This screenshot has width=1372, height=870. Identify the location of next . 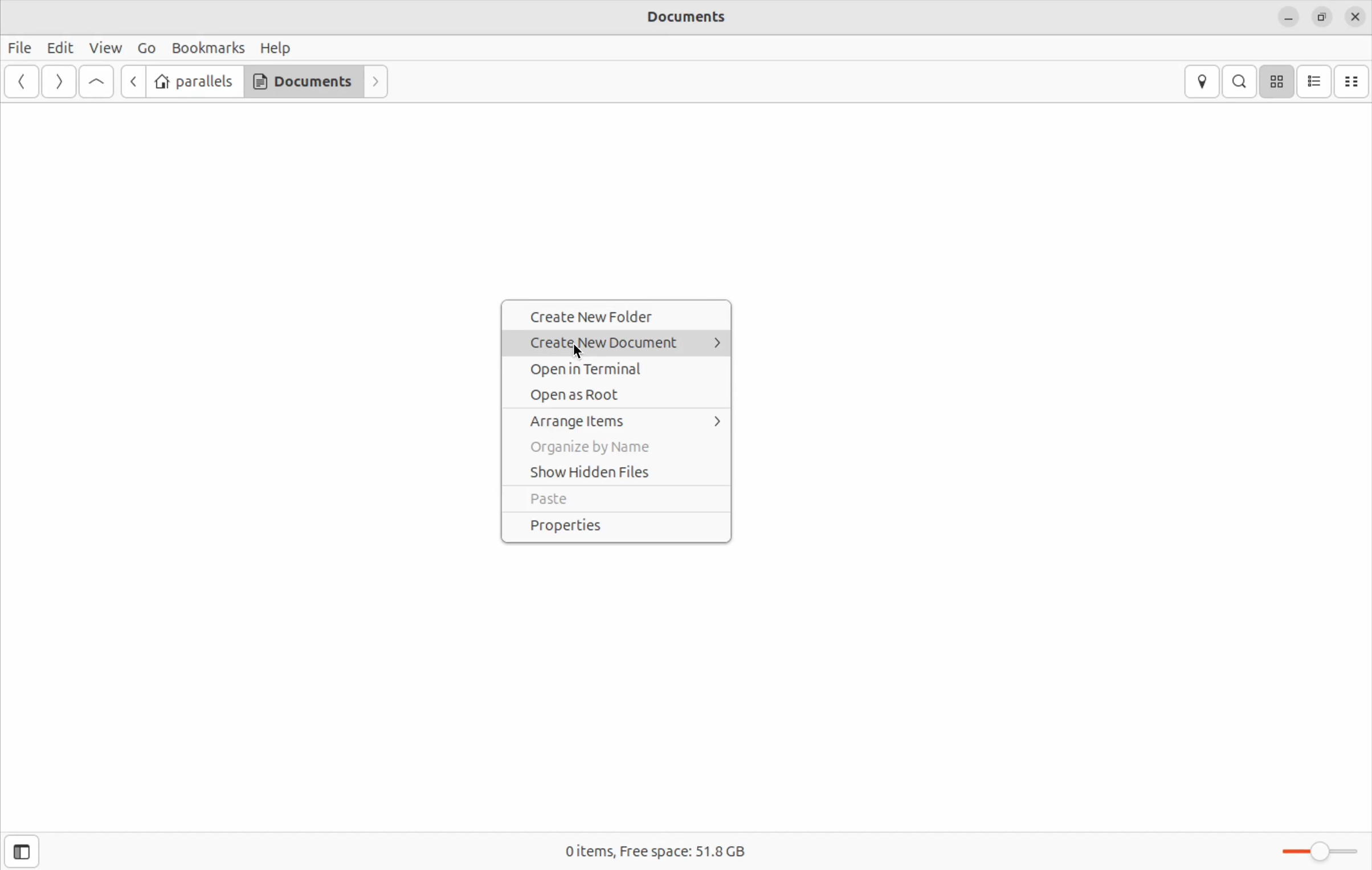
(378, 82).